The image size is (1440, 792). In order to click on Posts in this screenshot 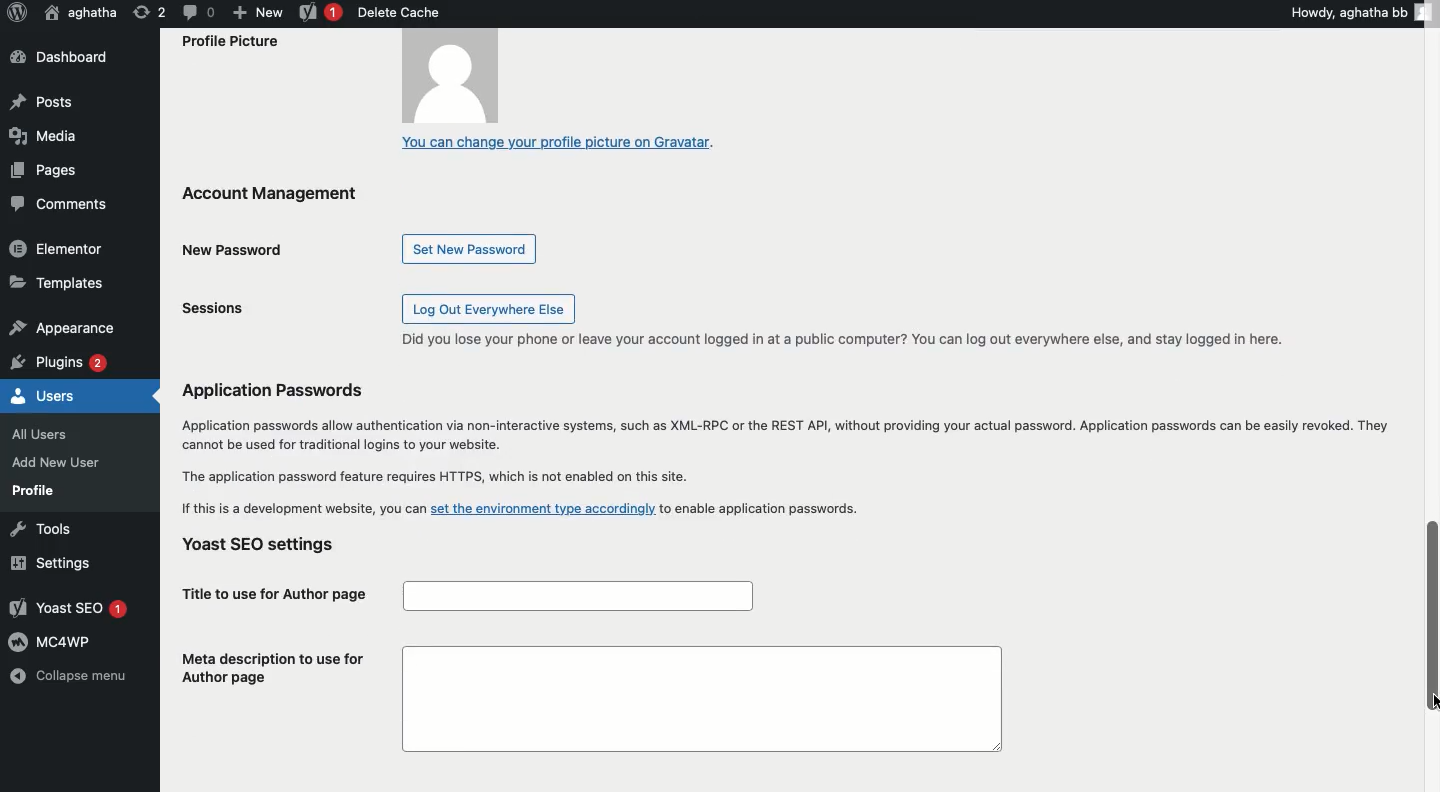, I will do `click(43, 104)`.